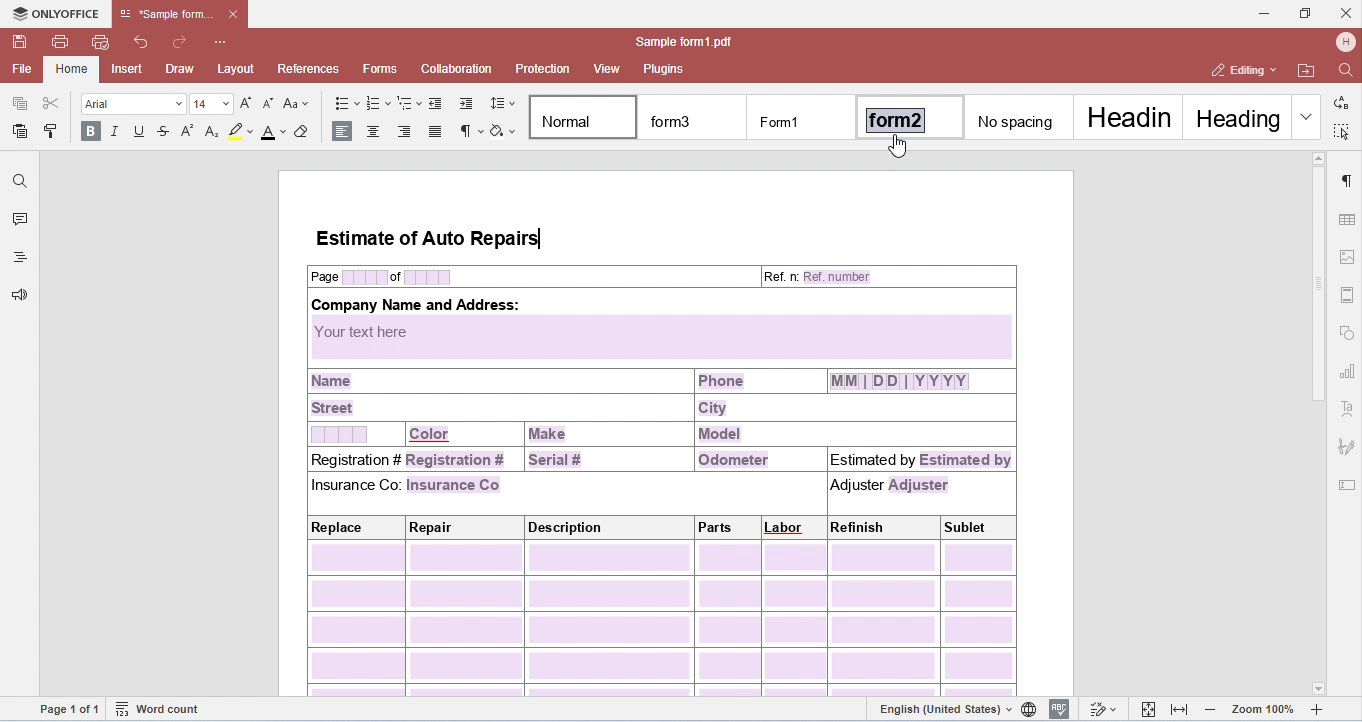  What do you see at coordinates (20, 104) in the screenshot?
I see `copy` at bounding box center [20, 104].